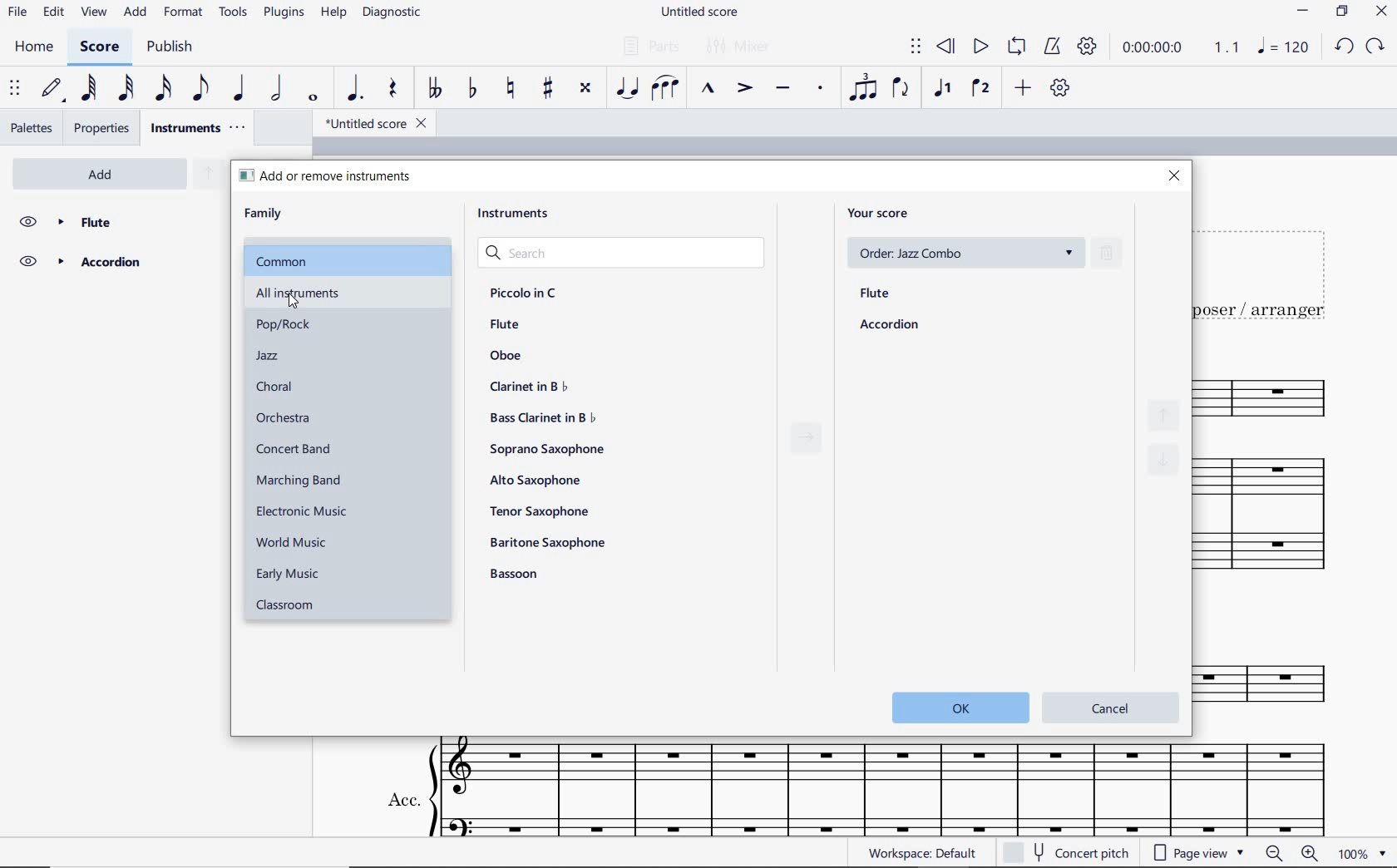  Describe the element at coordinates (1291, 854) in the screenshot. I see `zoom out or zoom in` at that location.